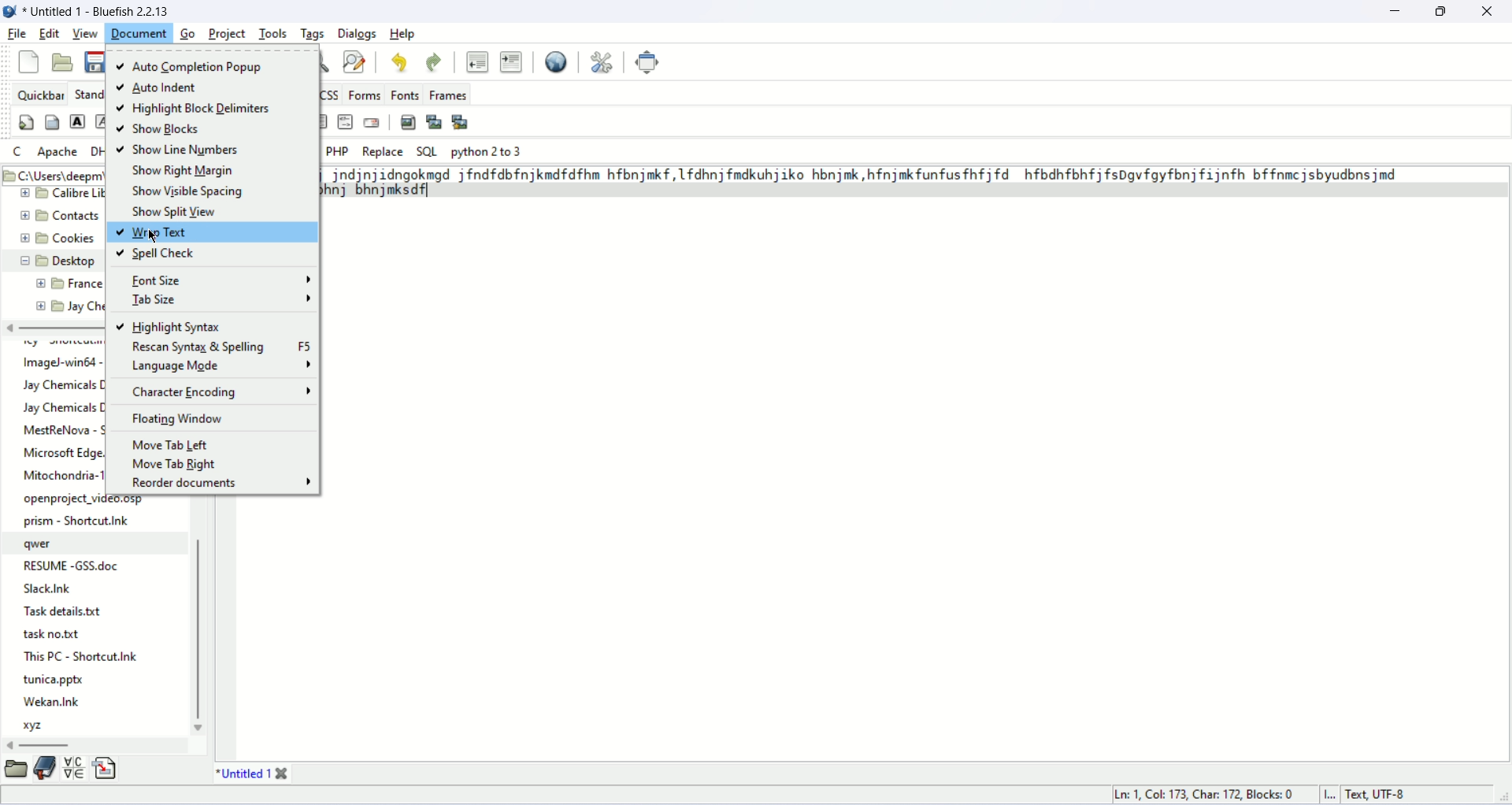 The image size is (1512, 805). What do you see at coordinates (165, 444) in the screenshot?
I see `move tab left` at bounding box center [165, 444].